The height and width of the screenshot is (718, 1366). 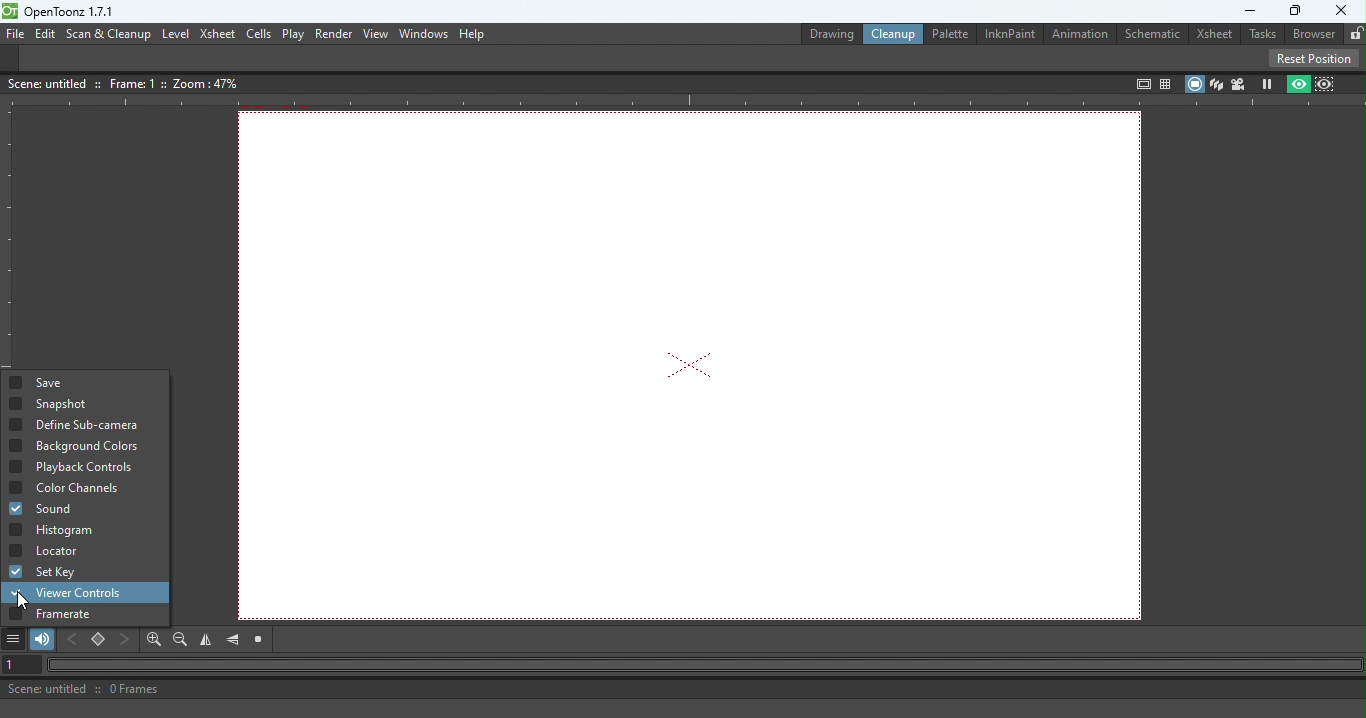 I want to click on cursor, so click(x=26, y=602).